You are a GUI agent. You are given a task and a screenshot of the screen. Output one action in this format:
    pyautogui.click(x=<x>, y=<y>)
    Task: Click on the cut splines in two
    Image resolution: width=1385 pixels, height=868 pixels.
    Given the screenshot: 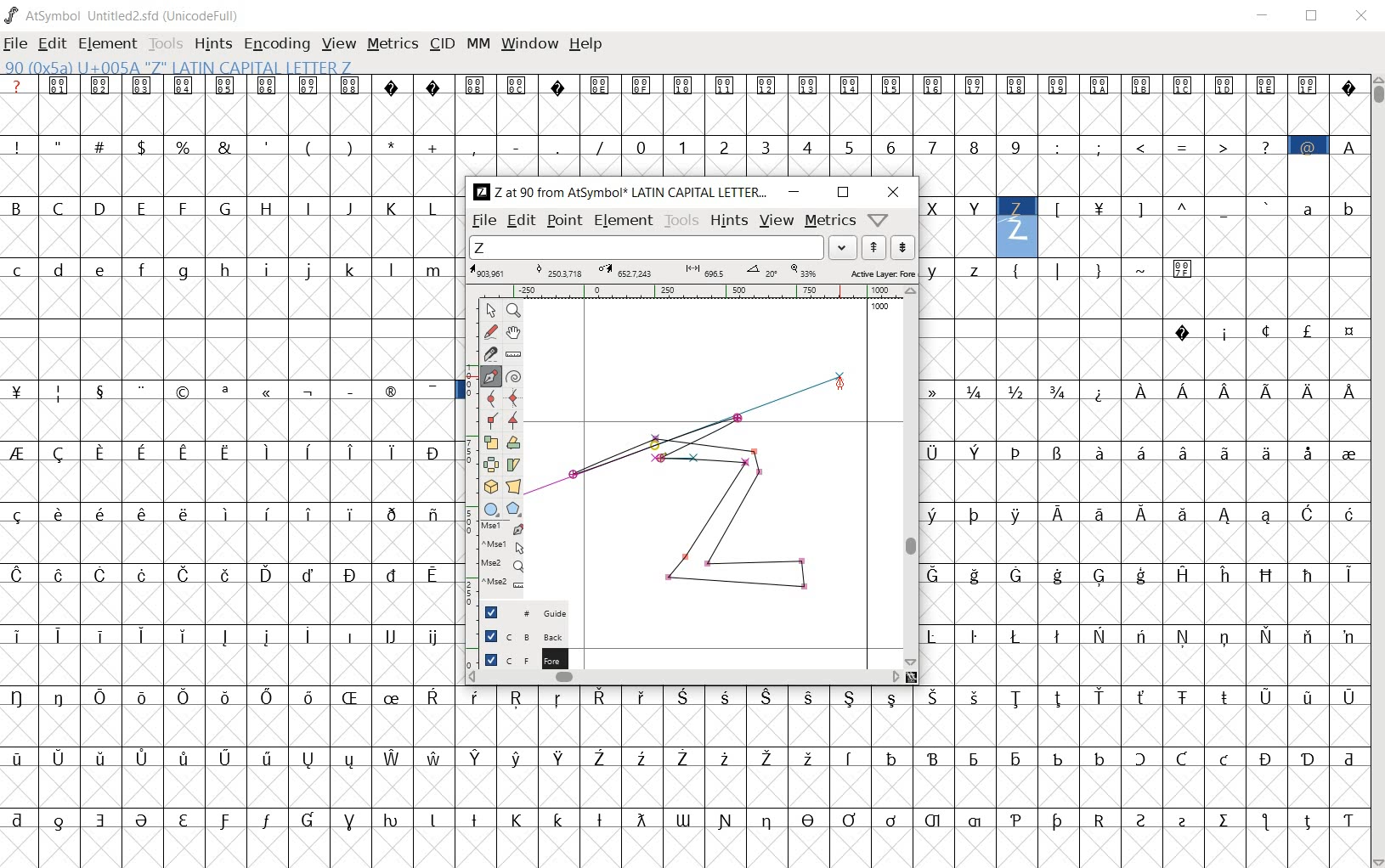 What is the action you would take?
    pyautogui.click(x=485, y=354)
    